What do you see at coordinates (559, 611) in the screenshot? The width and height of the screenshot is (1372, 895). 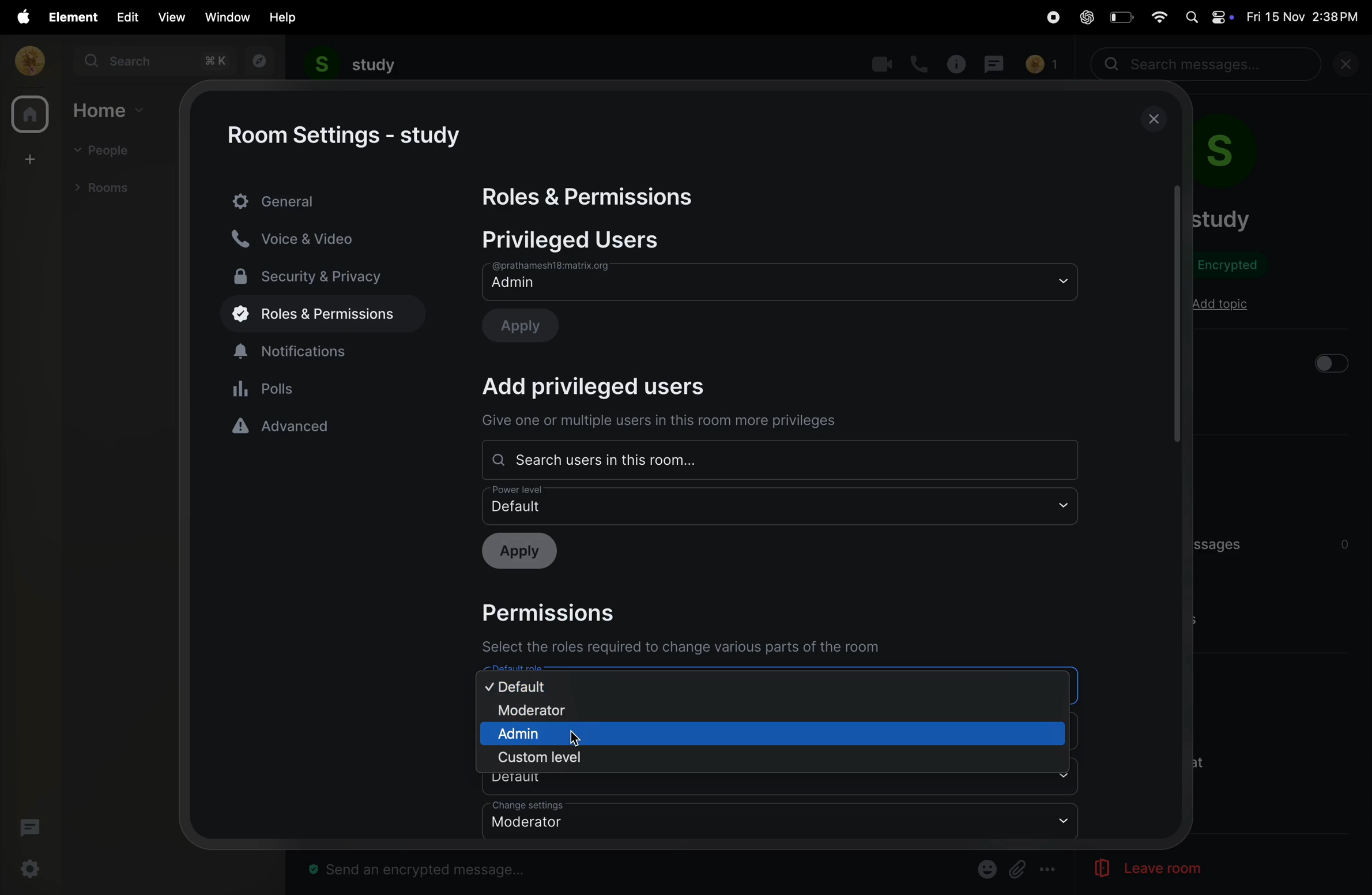 I see `Permissions` at bounding box center [559, 611].